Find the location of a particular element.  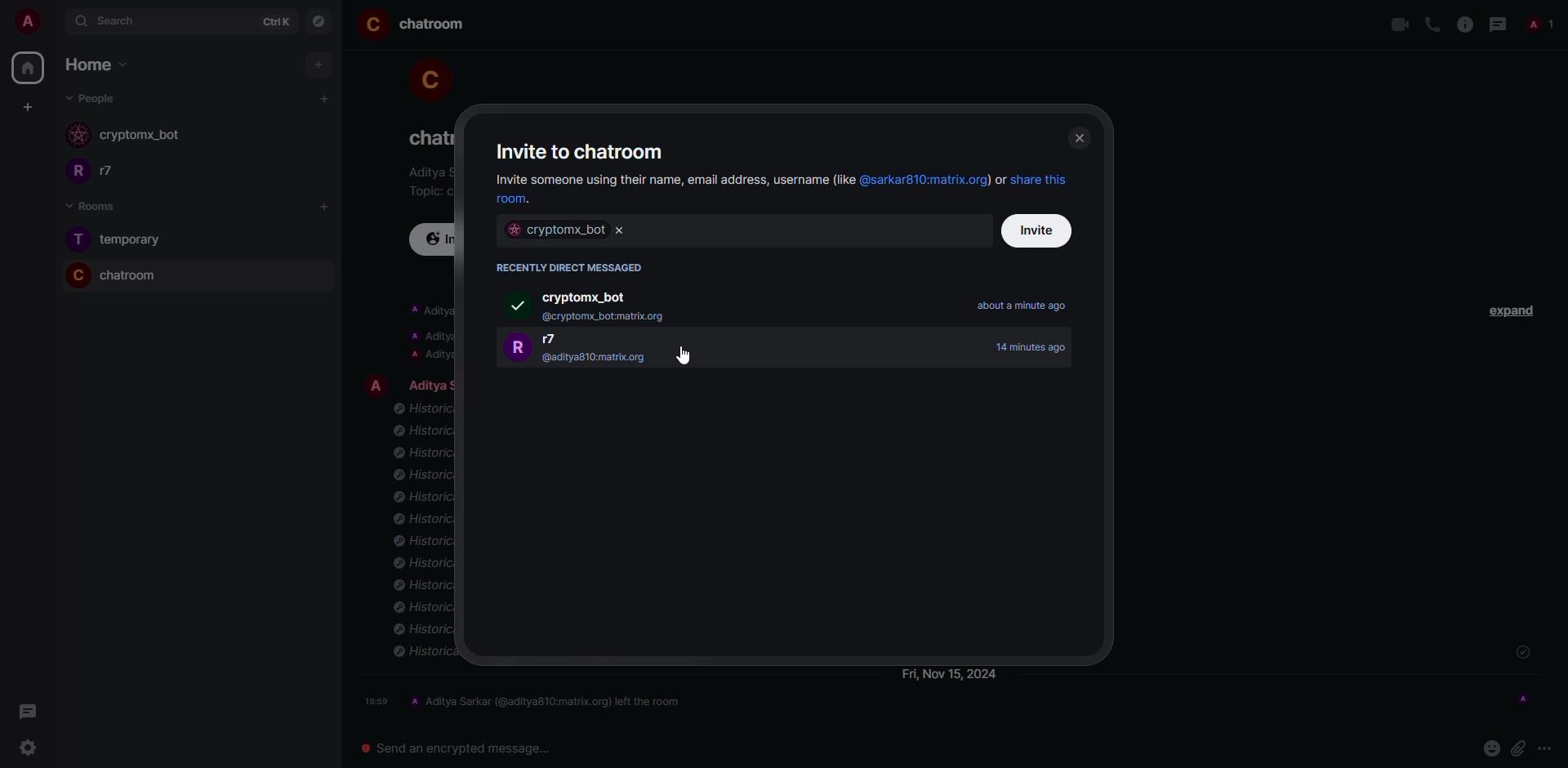

expand is located at coordinates (1514, 309).